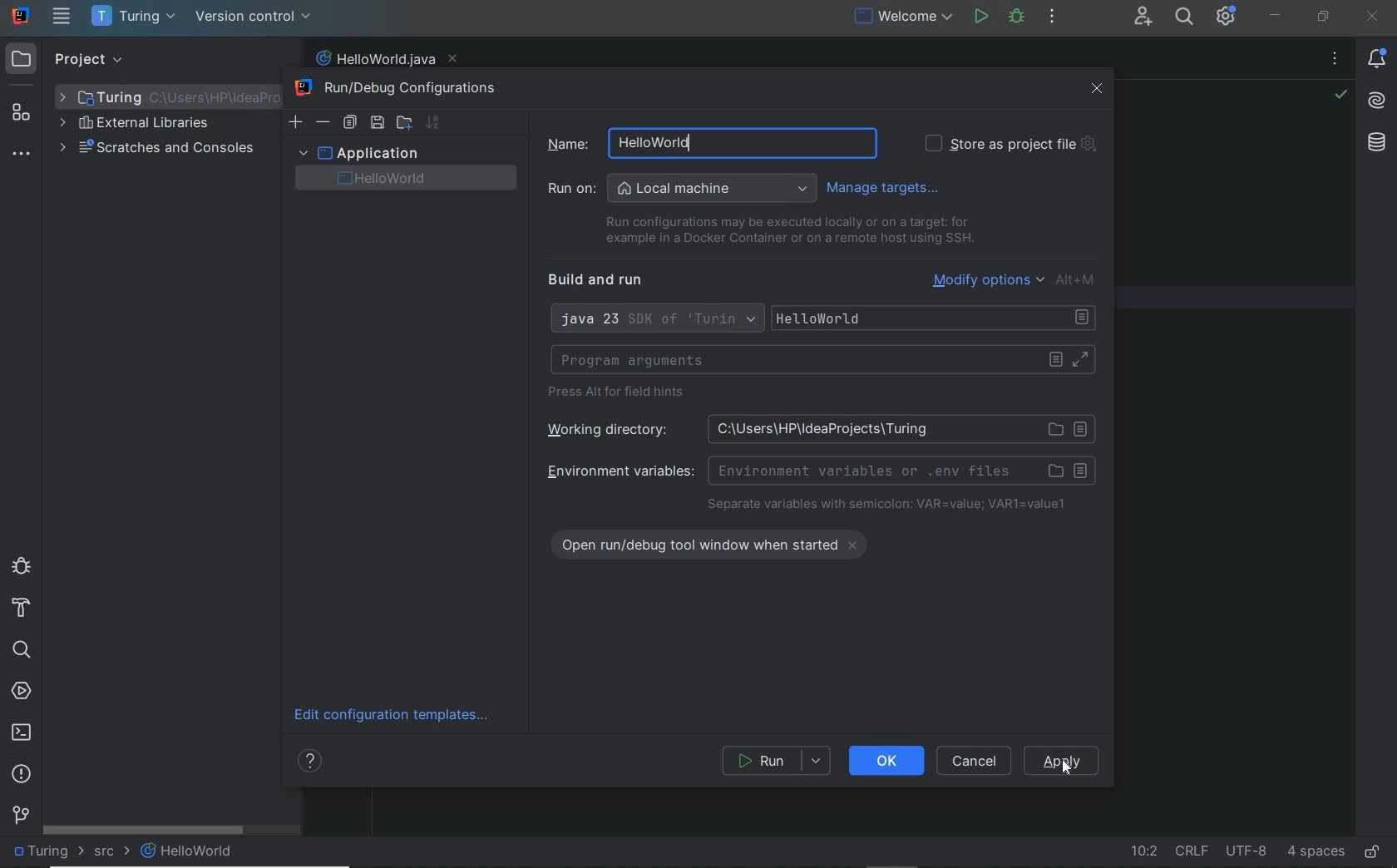 This screenshot has height=868, width=1397. What do you see at coordinates (1380, 60) in the screenshot?
I see `notifications` at bounding box center [1380, 60].